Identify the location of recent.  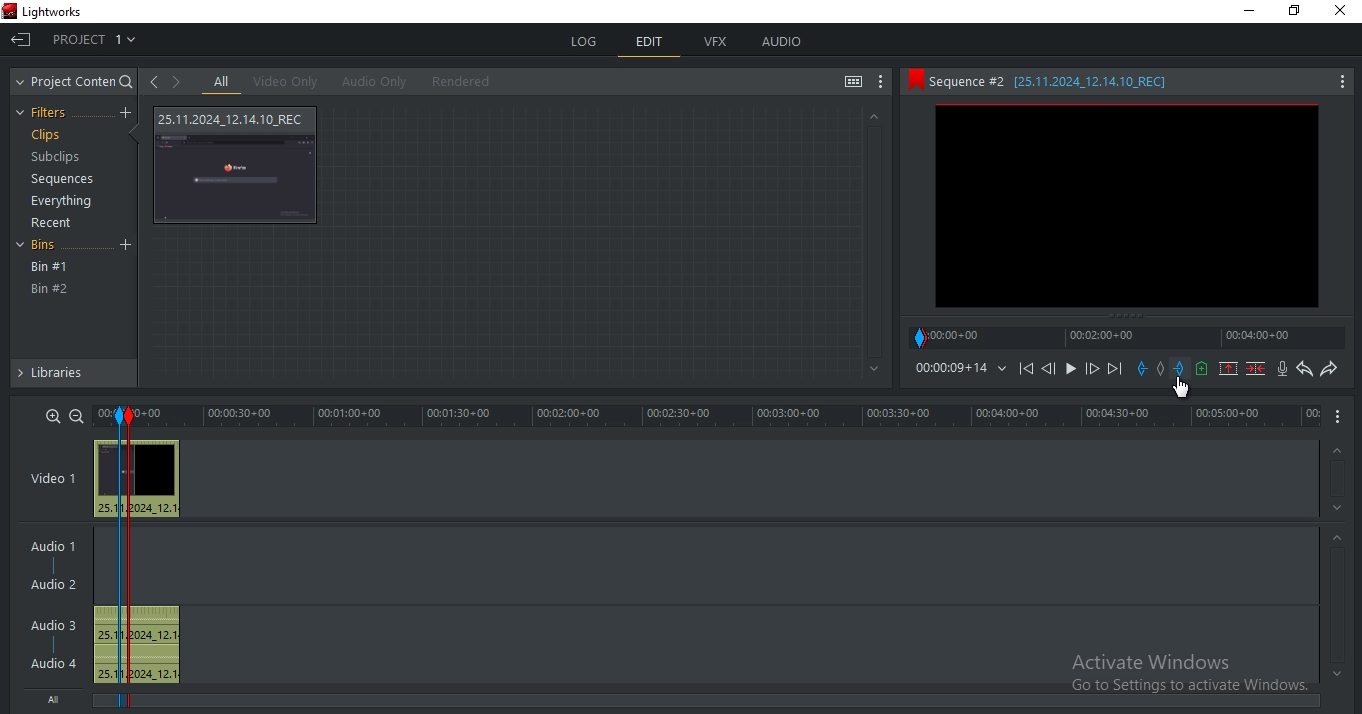
(54, 223).